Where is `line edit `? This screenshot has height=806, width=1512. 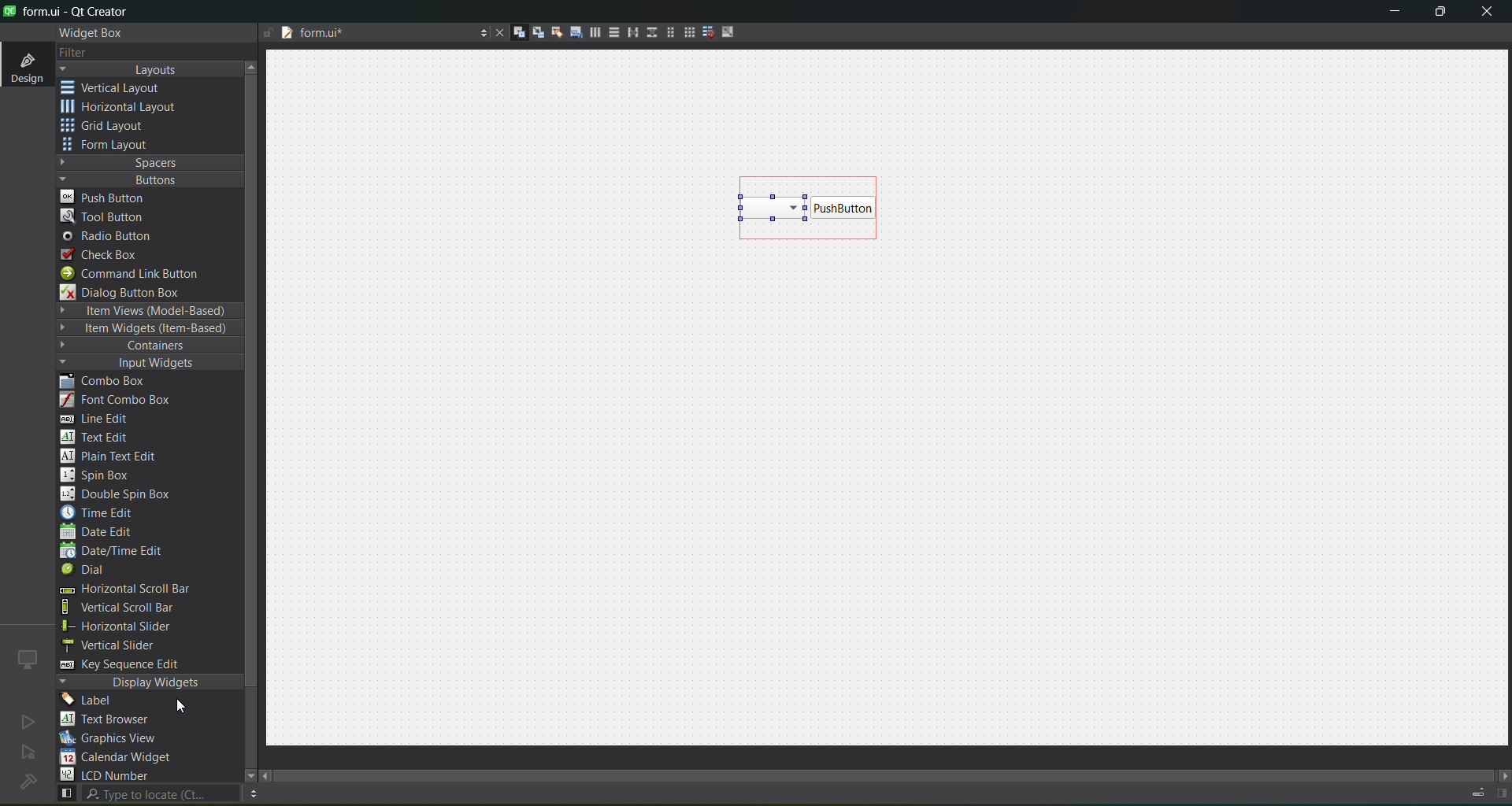 line edit  is located at coordinates (102, 419).